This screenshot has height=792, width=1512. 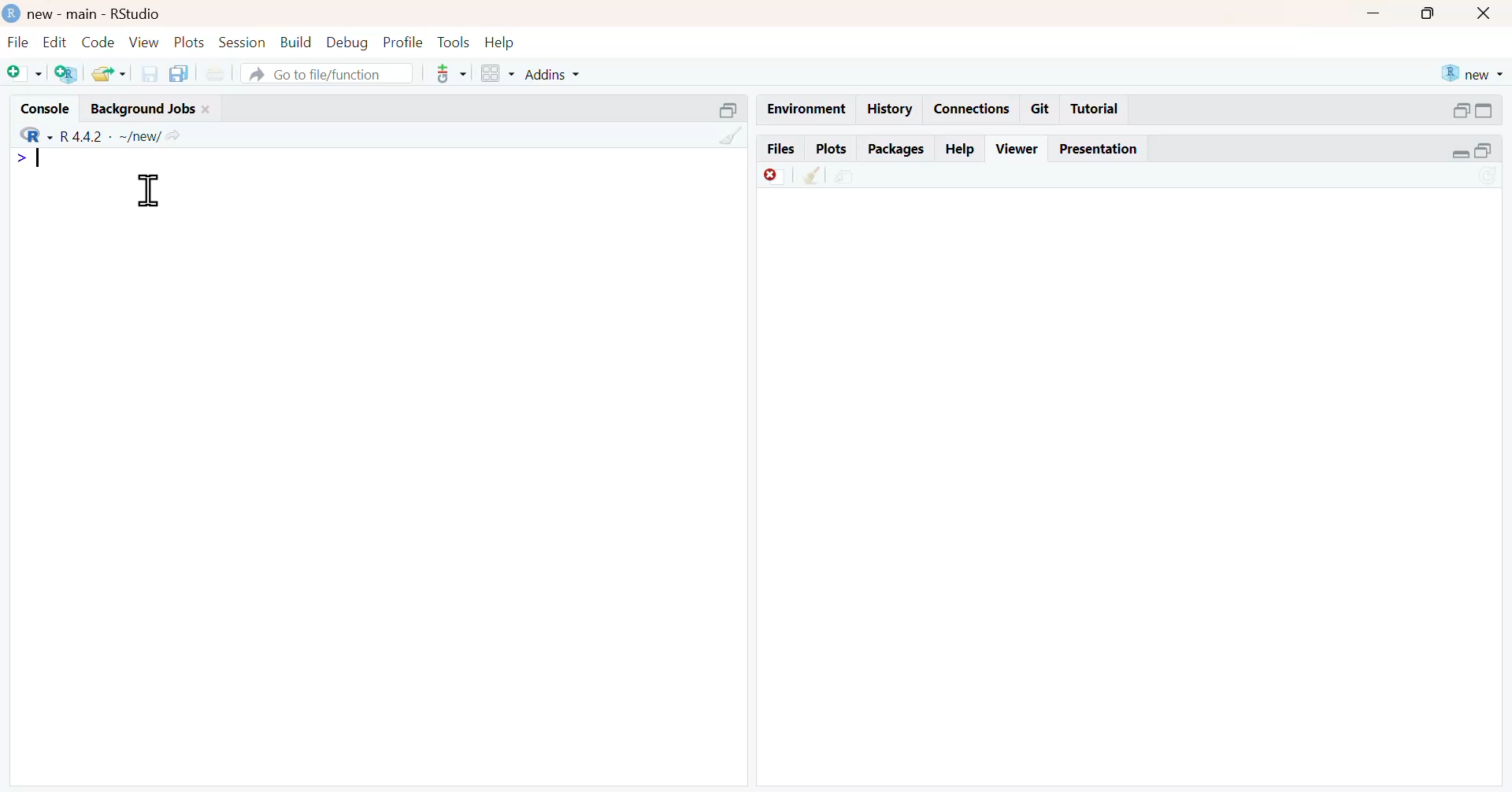 I want to click on presentation, so click(x=1101, y=149).